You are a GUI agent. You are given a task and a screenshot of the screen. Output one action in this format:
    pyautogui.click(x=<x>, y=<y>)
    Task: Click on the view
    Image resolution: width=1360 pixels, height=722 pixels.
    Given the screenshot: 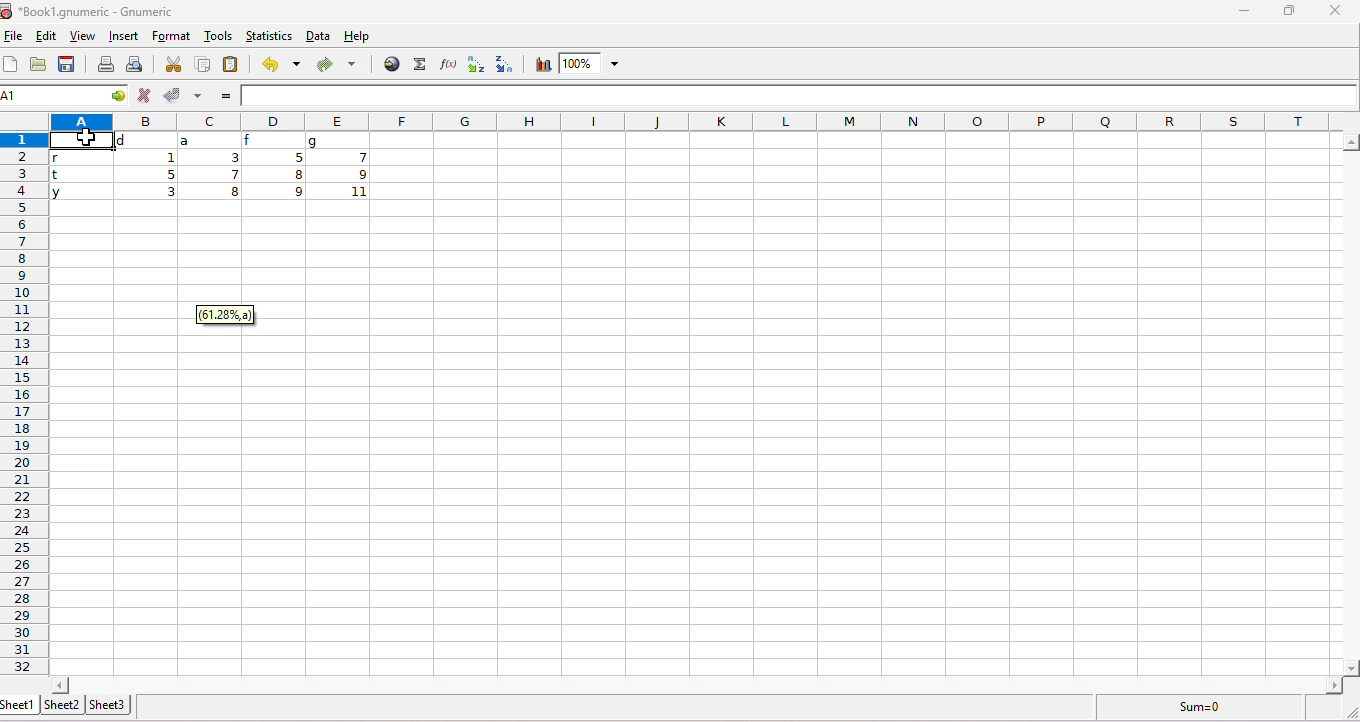 What is the action you would take?
    pyautogui.click(x=80, y=38)
    